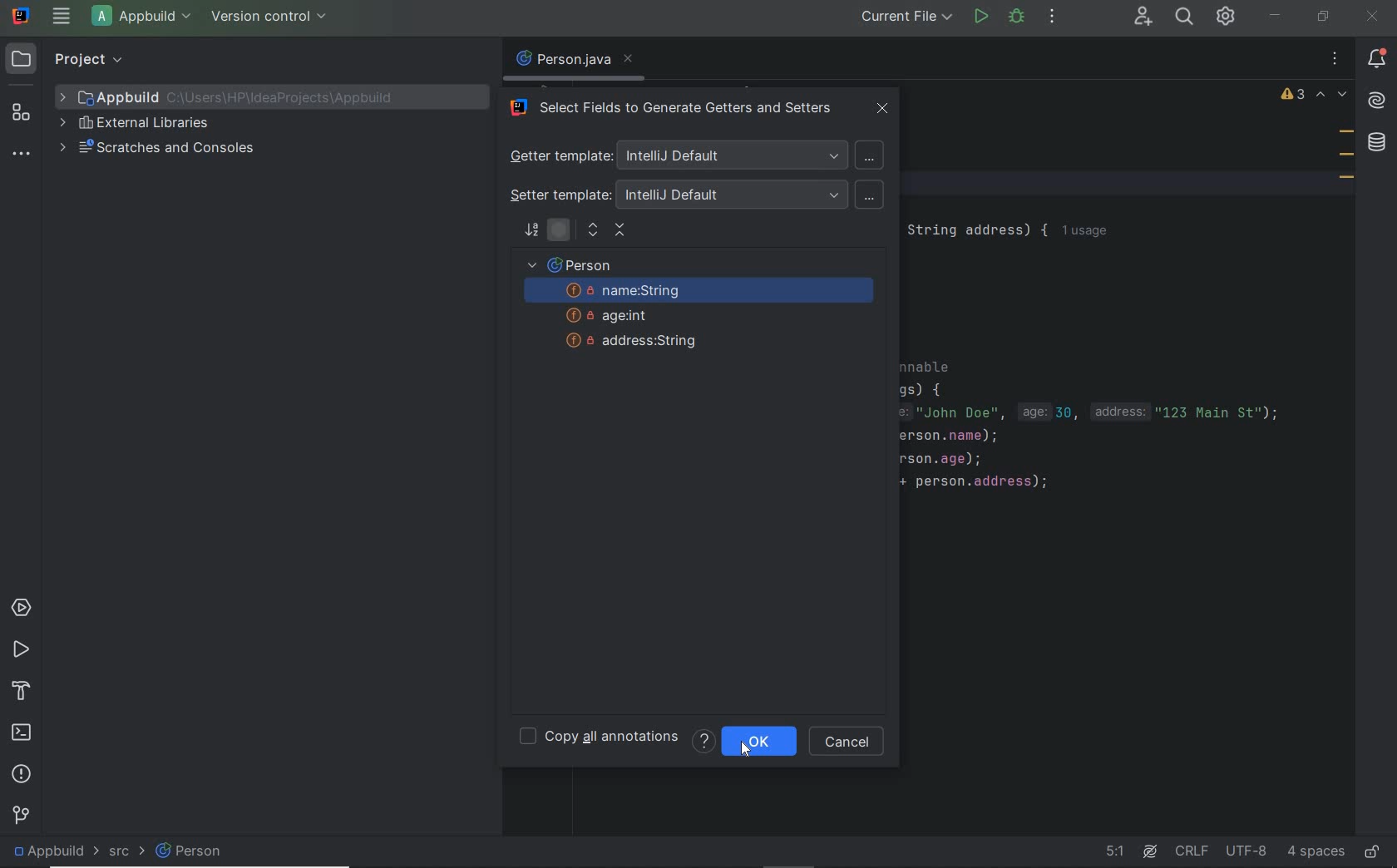  Describe the element at coordinates (1140, 17) in the screenshot. I see `code with me` at that location.